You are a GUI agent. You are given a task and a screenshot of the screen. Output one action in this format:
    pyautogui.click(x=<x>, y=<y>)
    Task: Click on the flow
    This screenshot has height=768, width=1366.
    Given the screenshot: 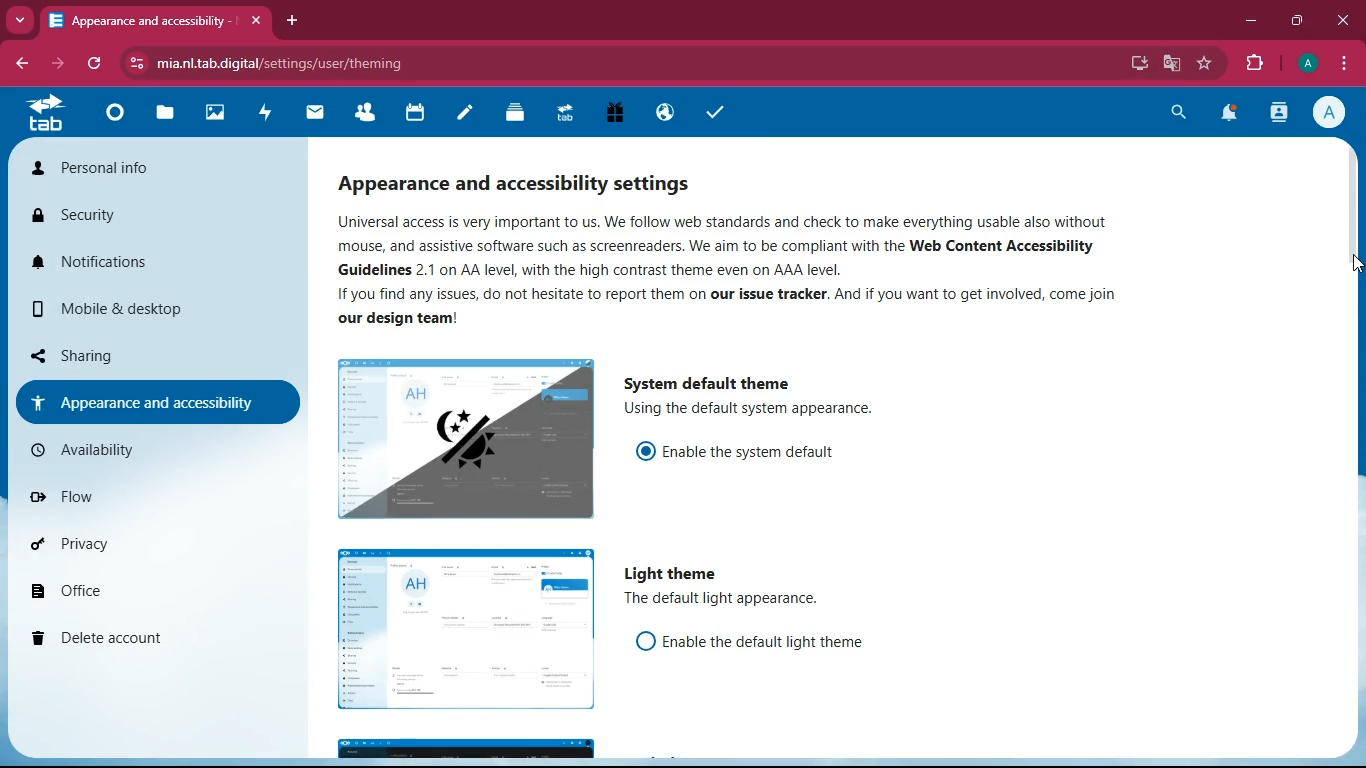 What is the action you would take?
    pyautogui.click(x=120, y=493)
    